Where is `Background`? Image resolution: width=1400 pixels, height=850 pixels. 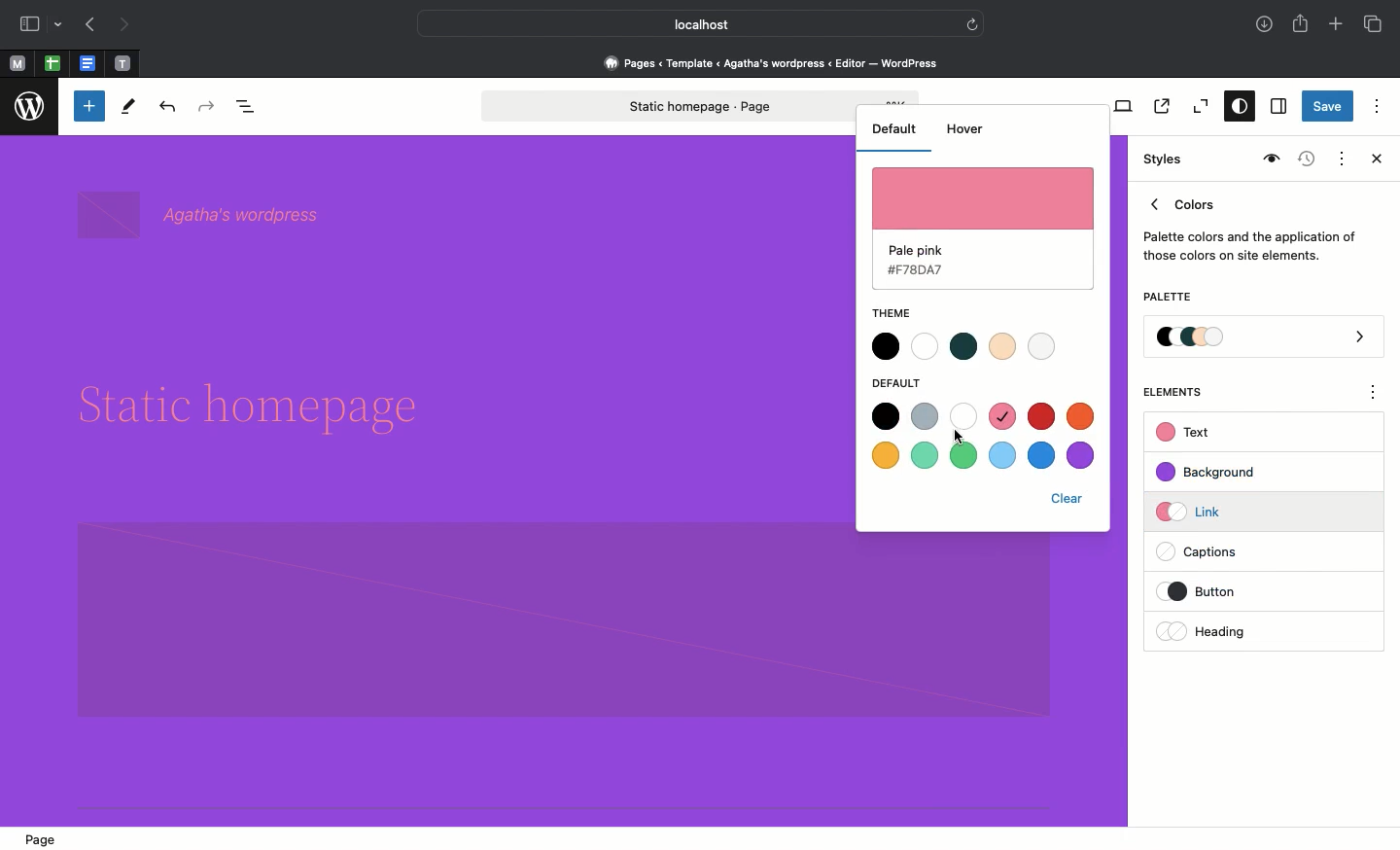
Background is located at coordinates (1215, 473).